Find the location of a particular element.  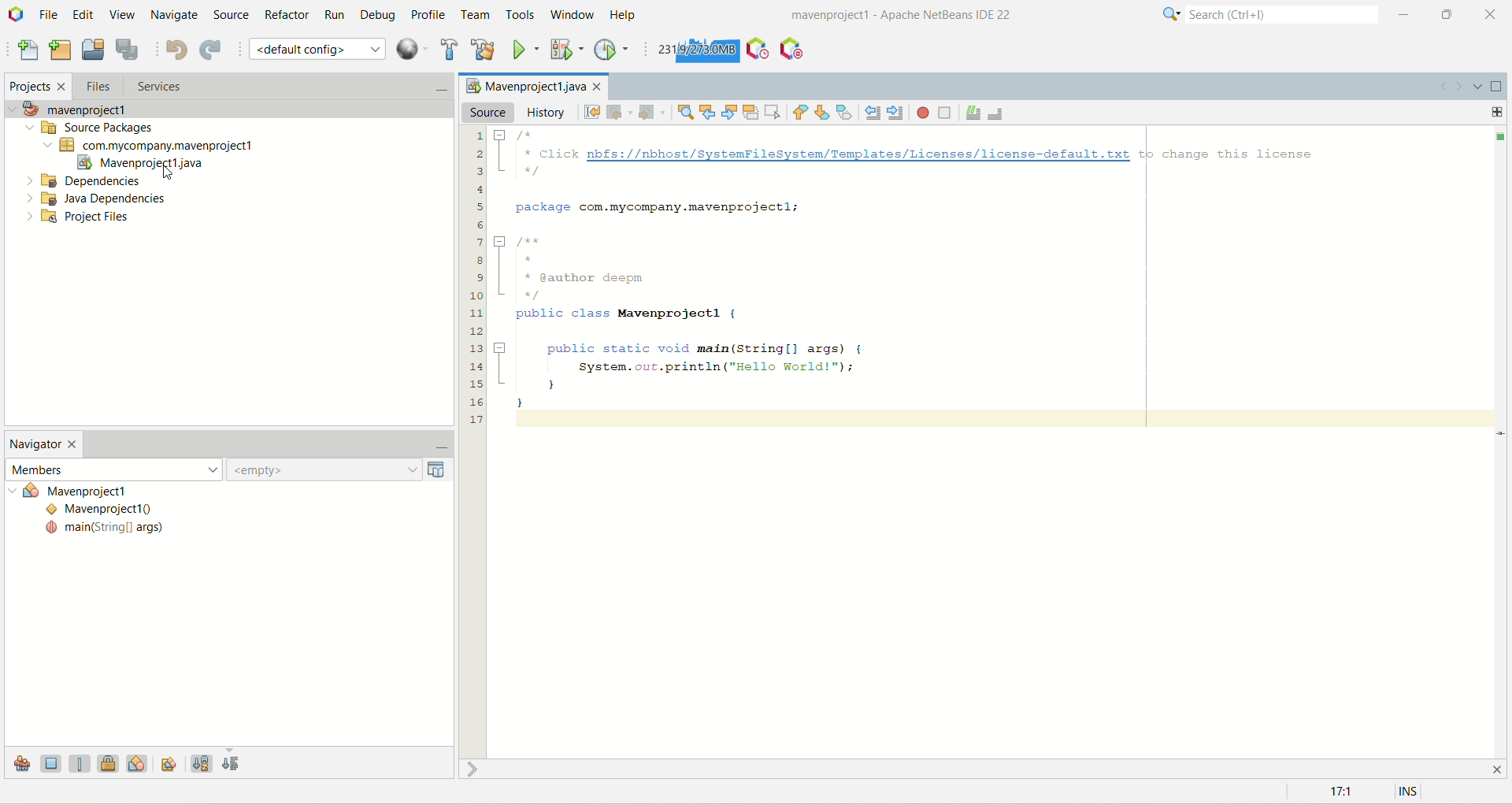

run project is located at coordinates (525, 48).